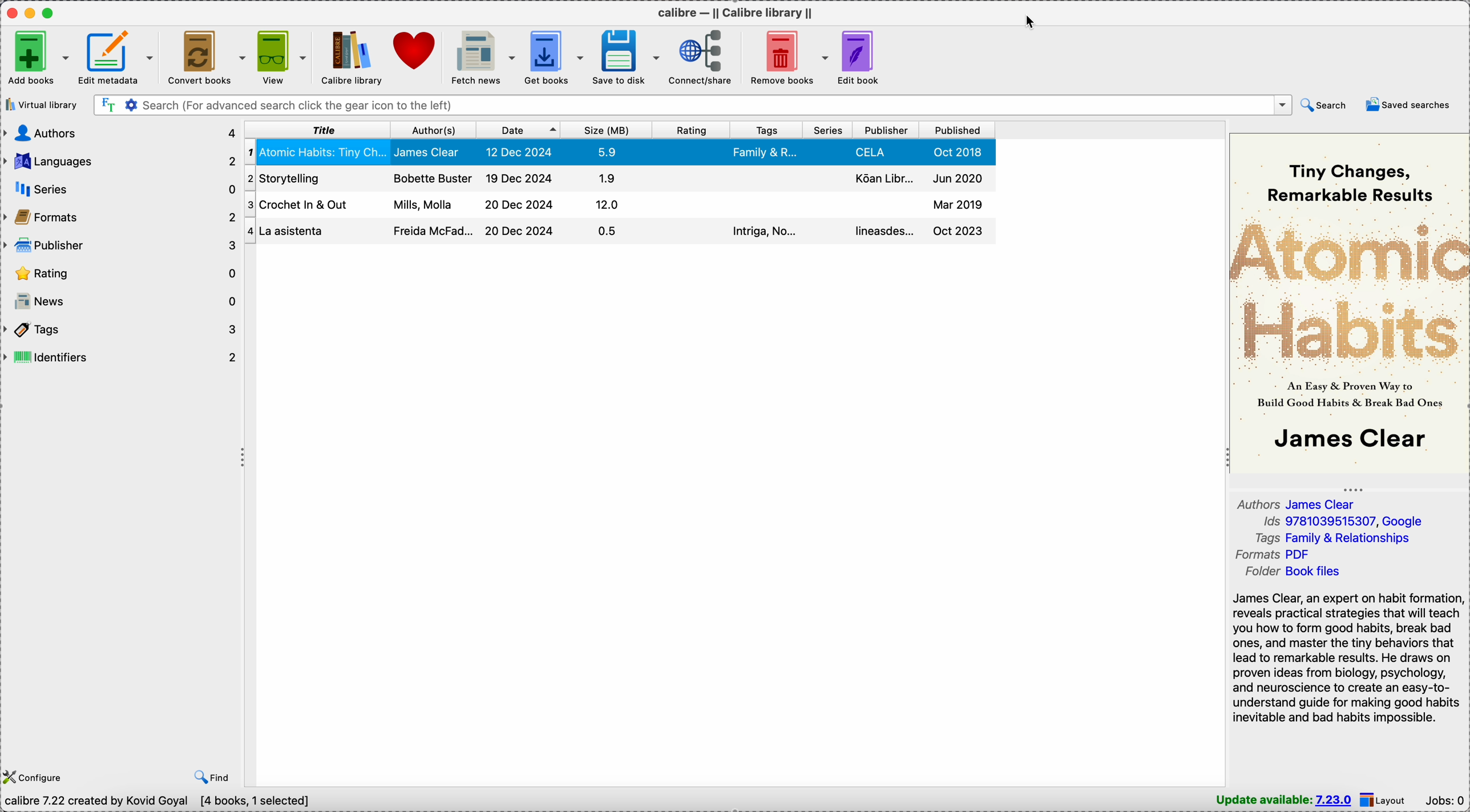 The height and width of the screenshot is (812, 1470). I want to click on configure, so click(35, 775).